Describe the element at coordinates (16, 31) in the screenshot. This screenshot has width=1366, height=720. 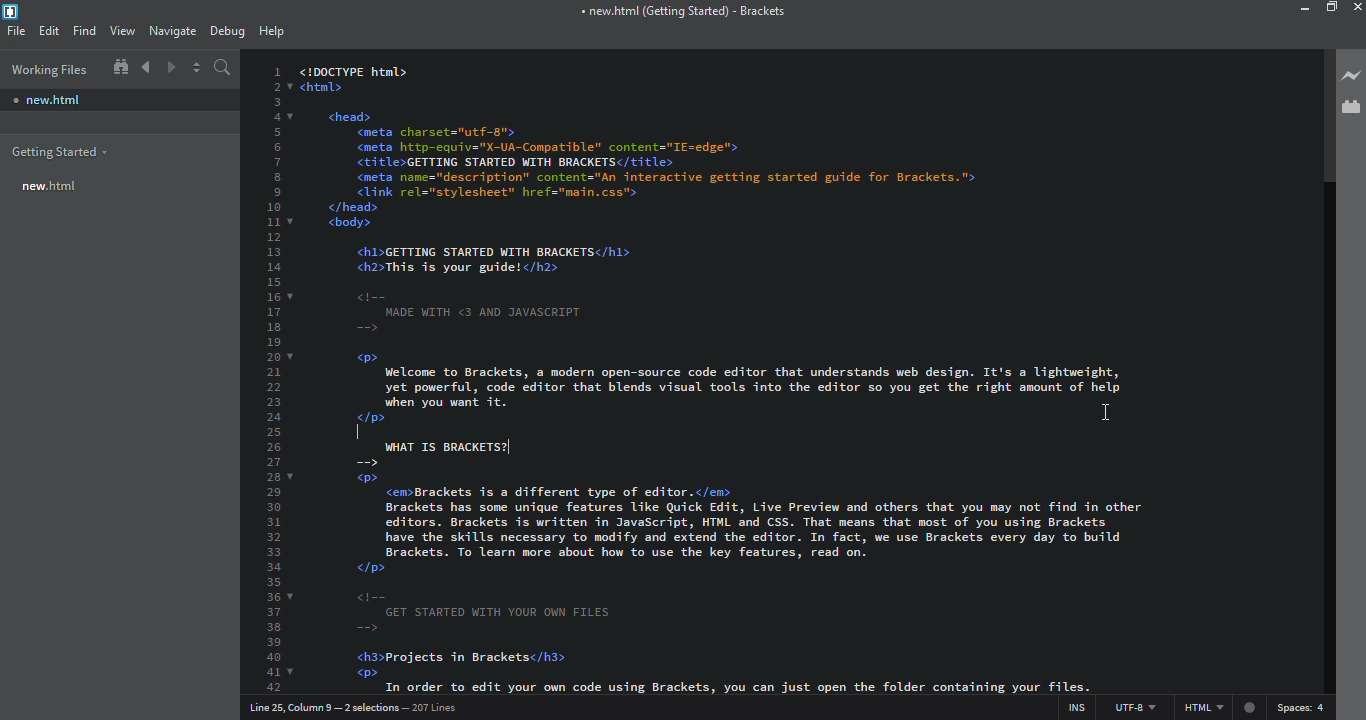
I see `file` at that location.